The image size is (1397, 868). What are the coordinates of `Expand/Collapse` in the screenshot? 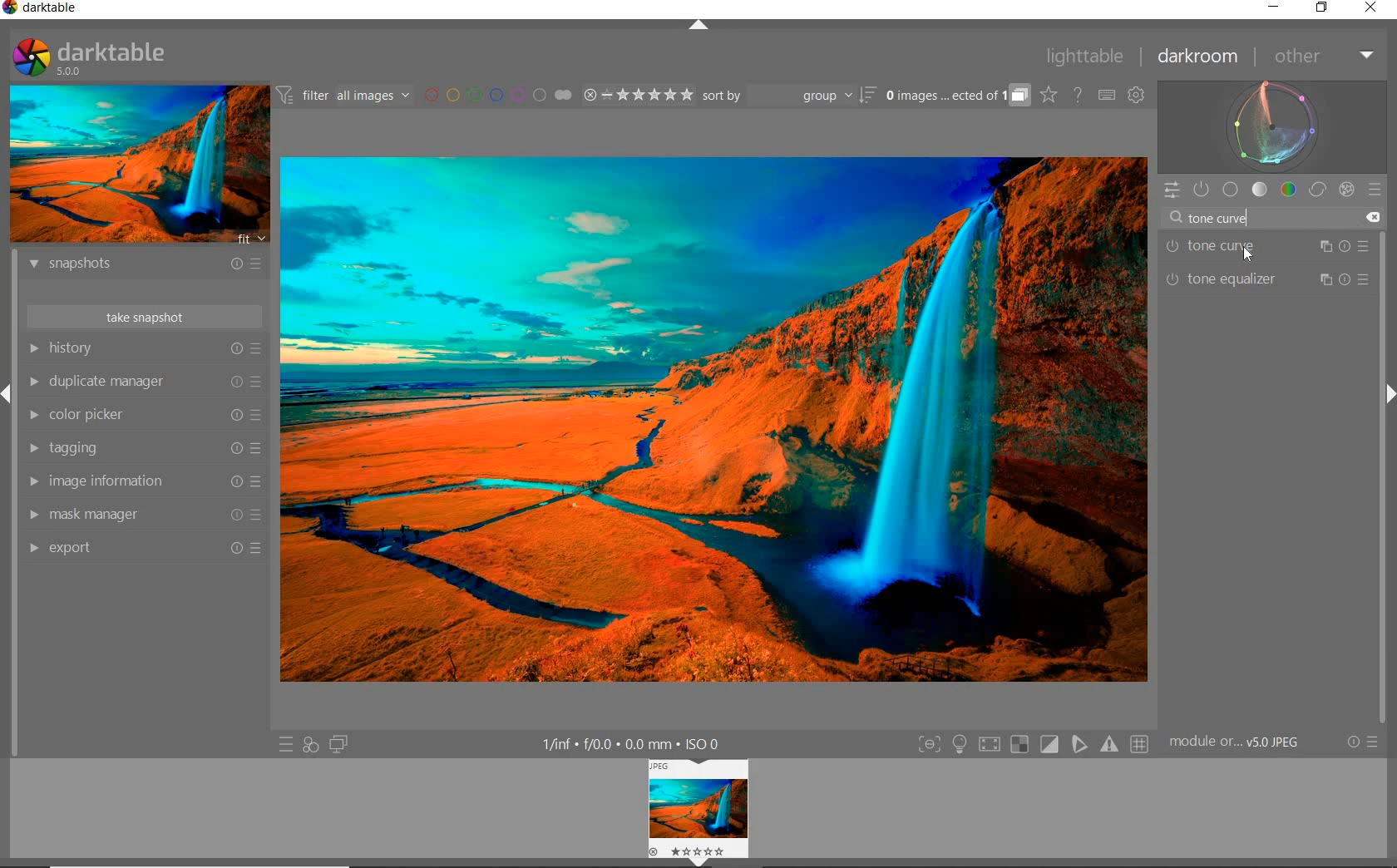 It's located at (8, 397).